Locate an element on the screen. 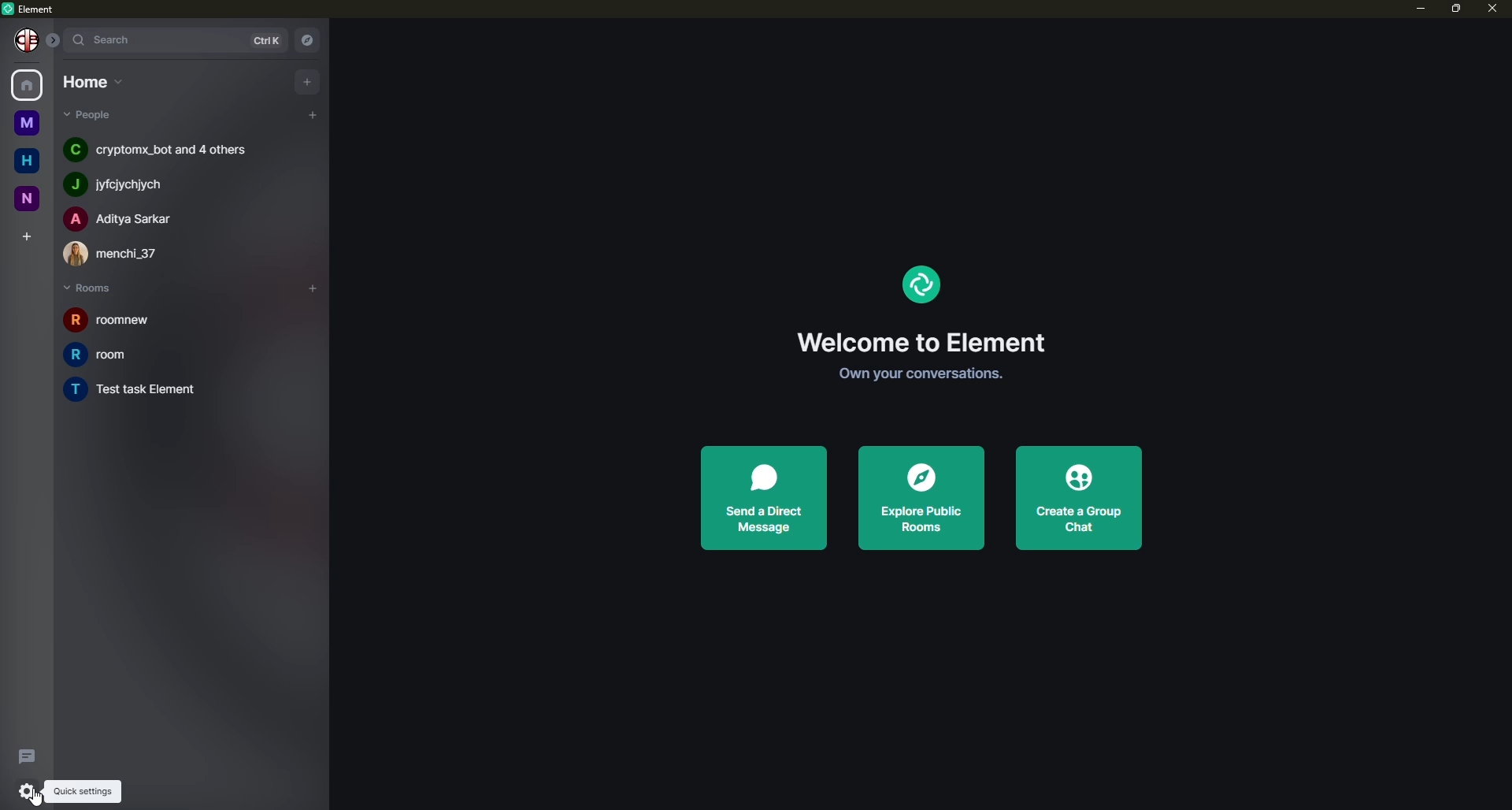  element is located at coordinates (919, 284).